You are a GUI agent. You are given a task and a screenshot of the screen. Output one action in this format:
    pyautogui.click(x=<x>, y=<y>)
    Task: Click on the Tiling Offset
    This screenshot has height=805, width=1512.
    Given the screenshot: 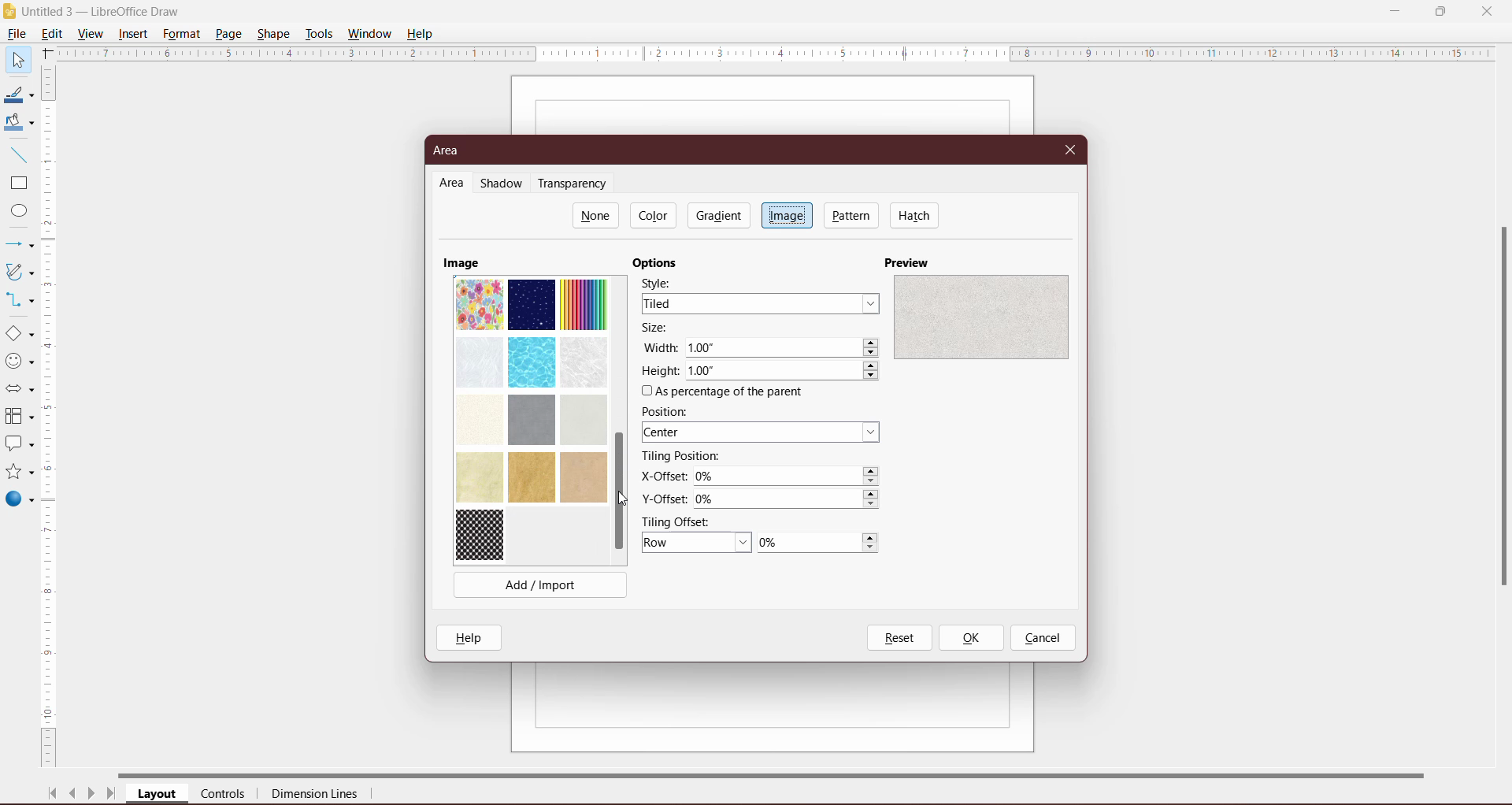 What is the action you would take?
    pyautogui.click(x=683, y=521)
    